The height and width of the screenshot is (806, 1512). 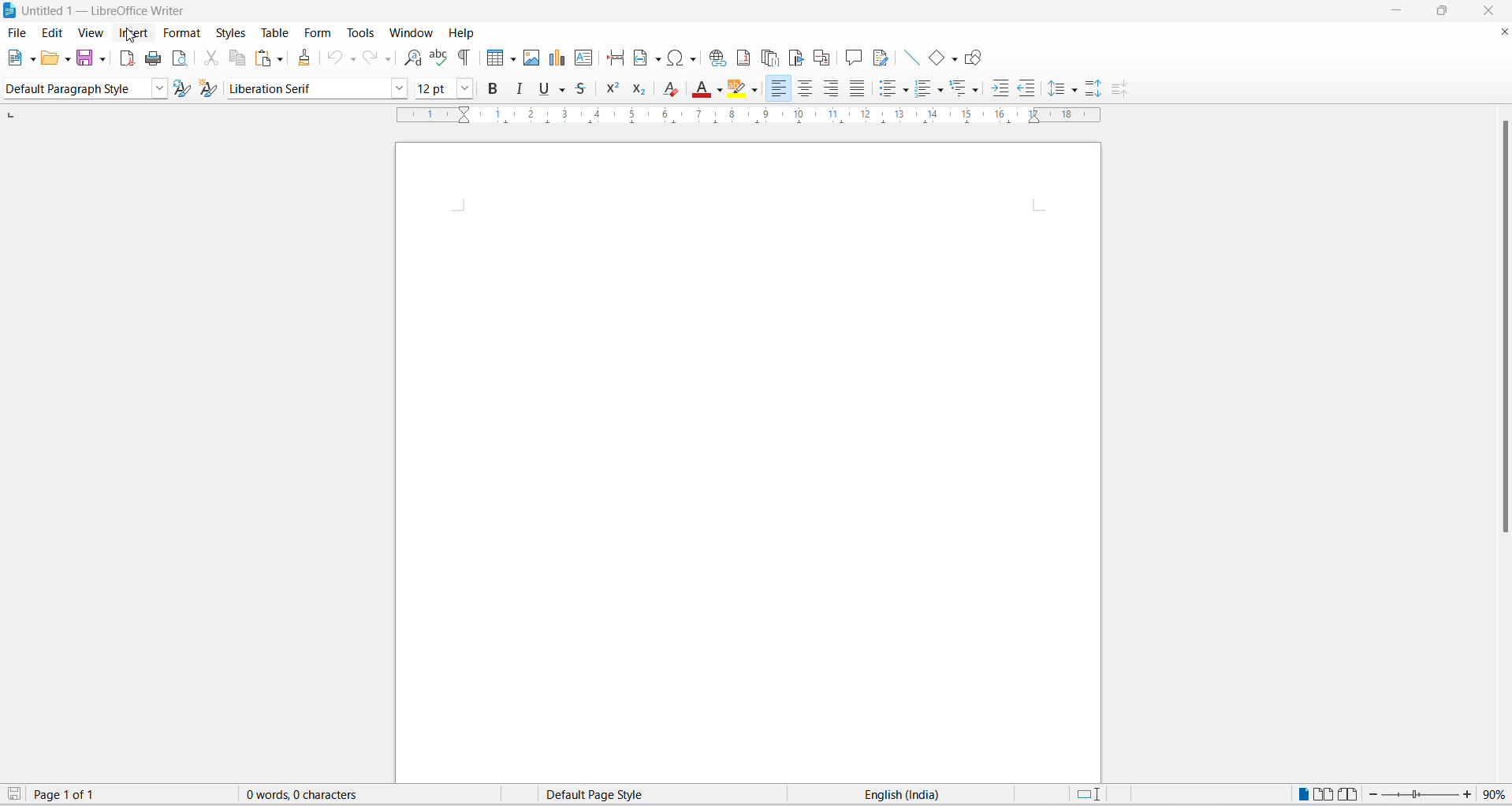 I want to click on styles, so click(x=229, y=31).